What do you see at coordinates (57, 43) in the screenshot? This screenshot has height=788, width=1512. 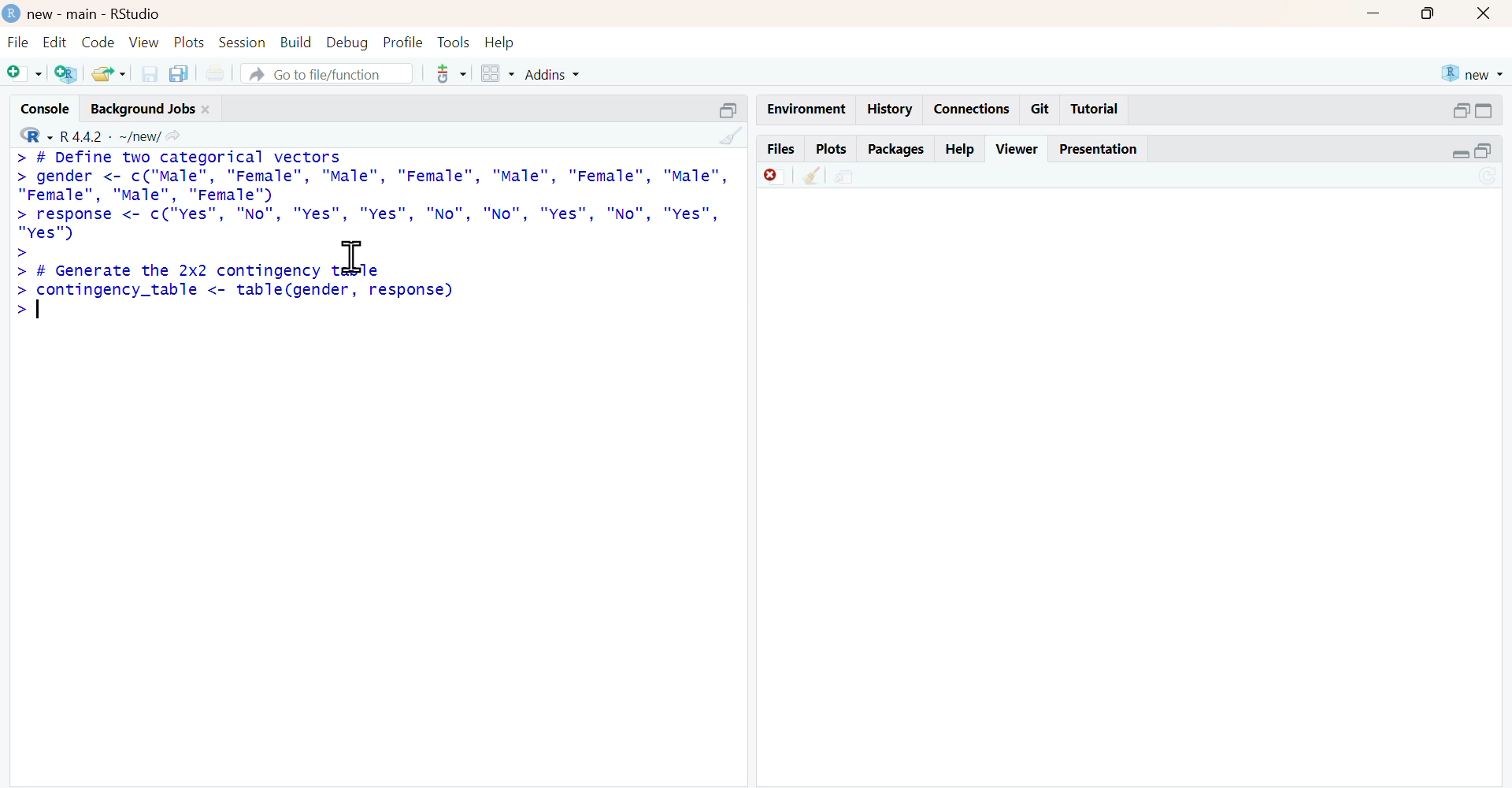 I see `edit` at bounding box center [57, 43].